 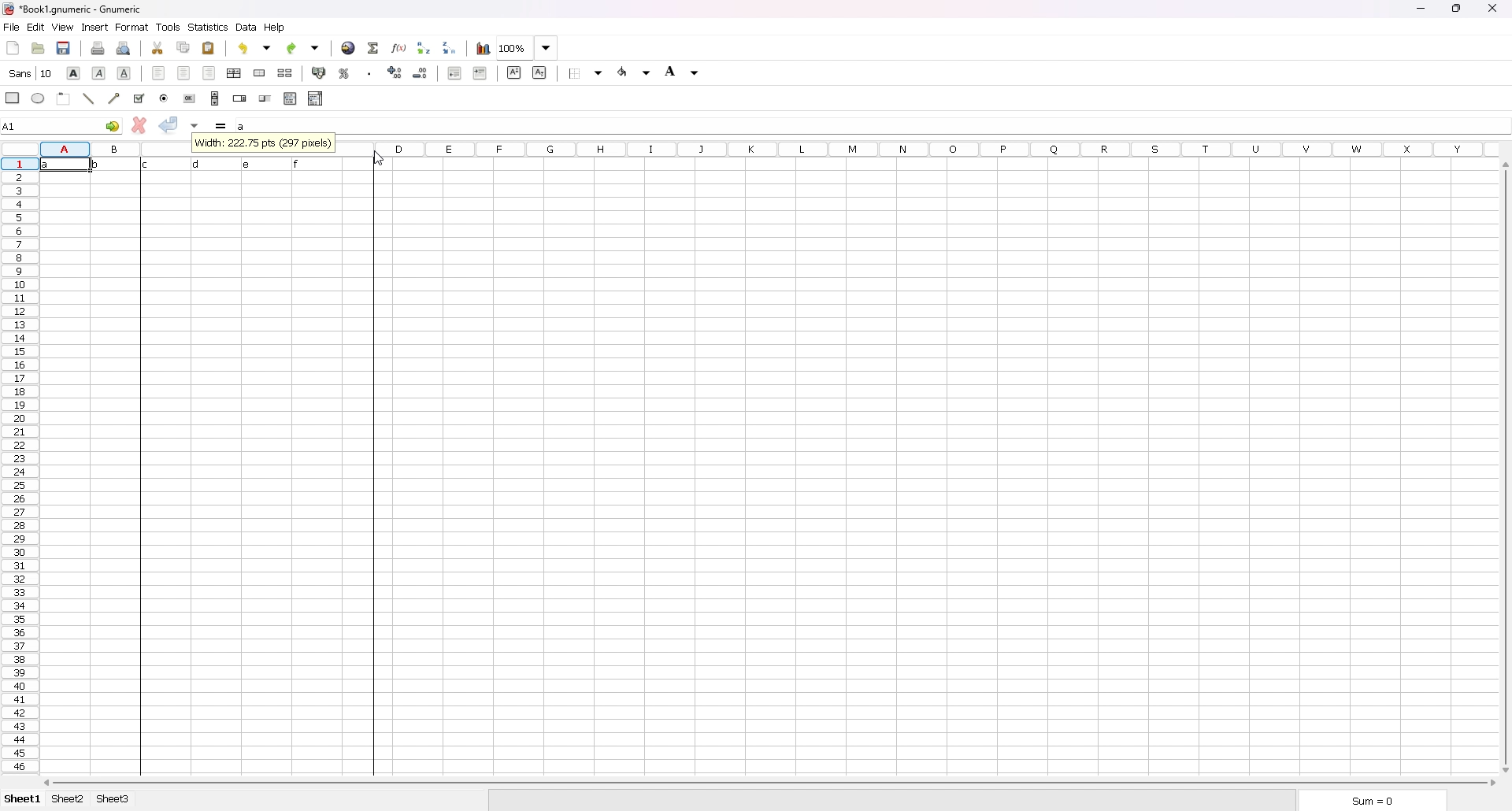 What do you see at coordinates (305, 48) in the screenshot?
I see `redo` at bounding box center [305, 48].